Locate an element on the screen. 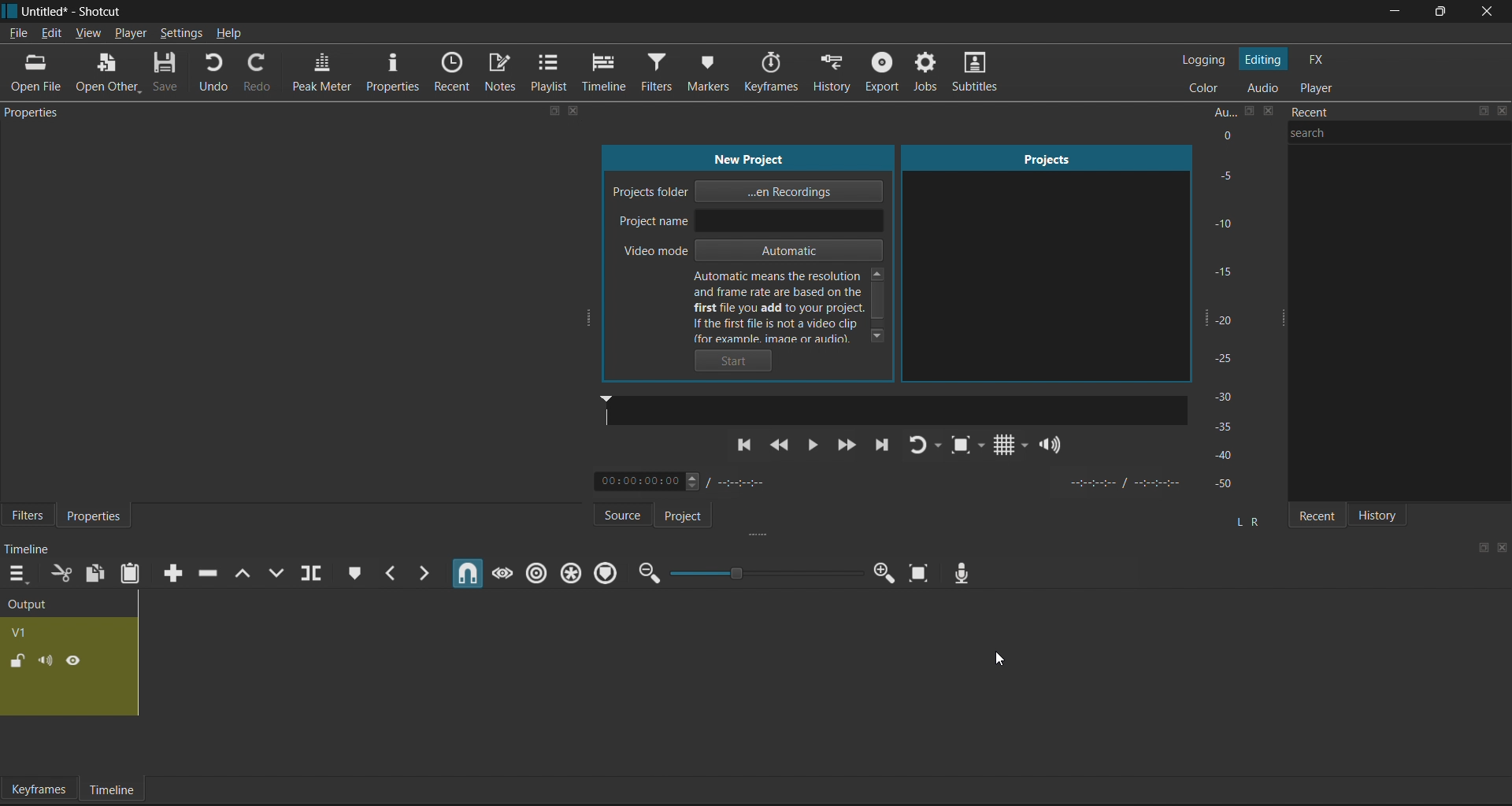  History is located at coordinates (833, 71).